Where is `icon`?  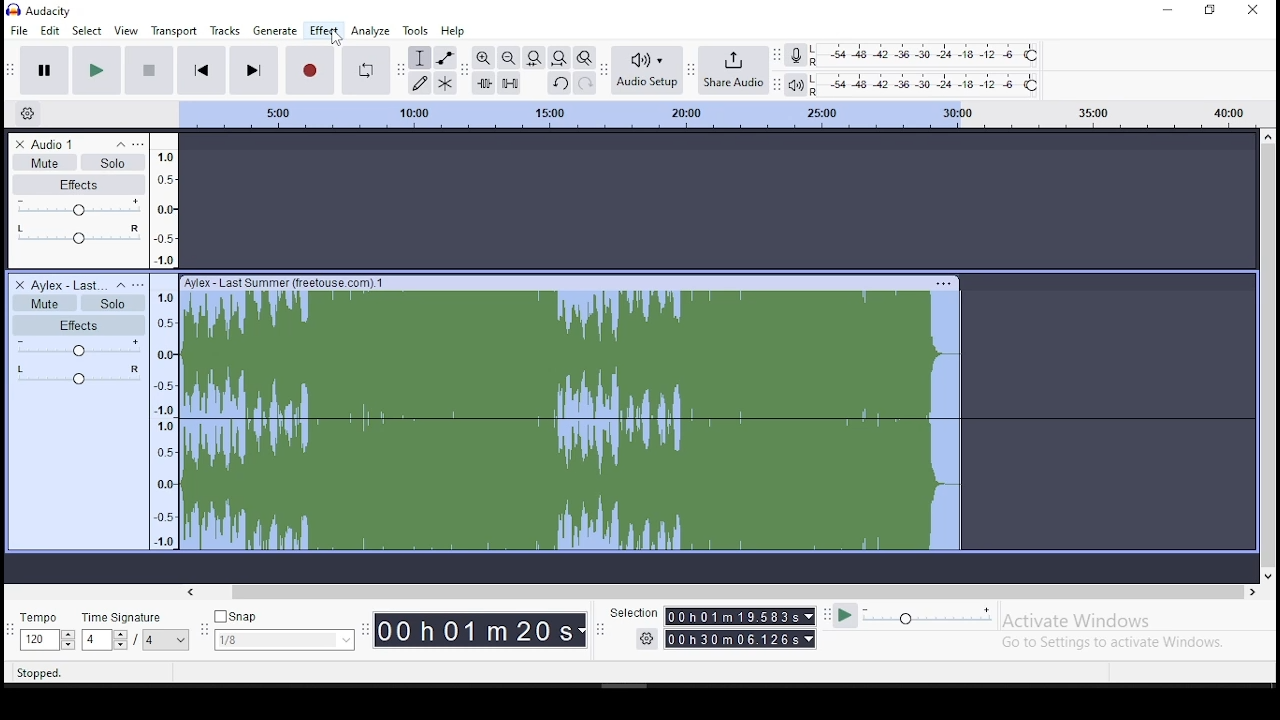 icon is located at coordinates (44, 11).